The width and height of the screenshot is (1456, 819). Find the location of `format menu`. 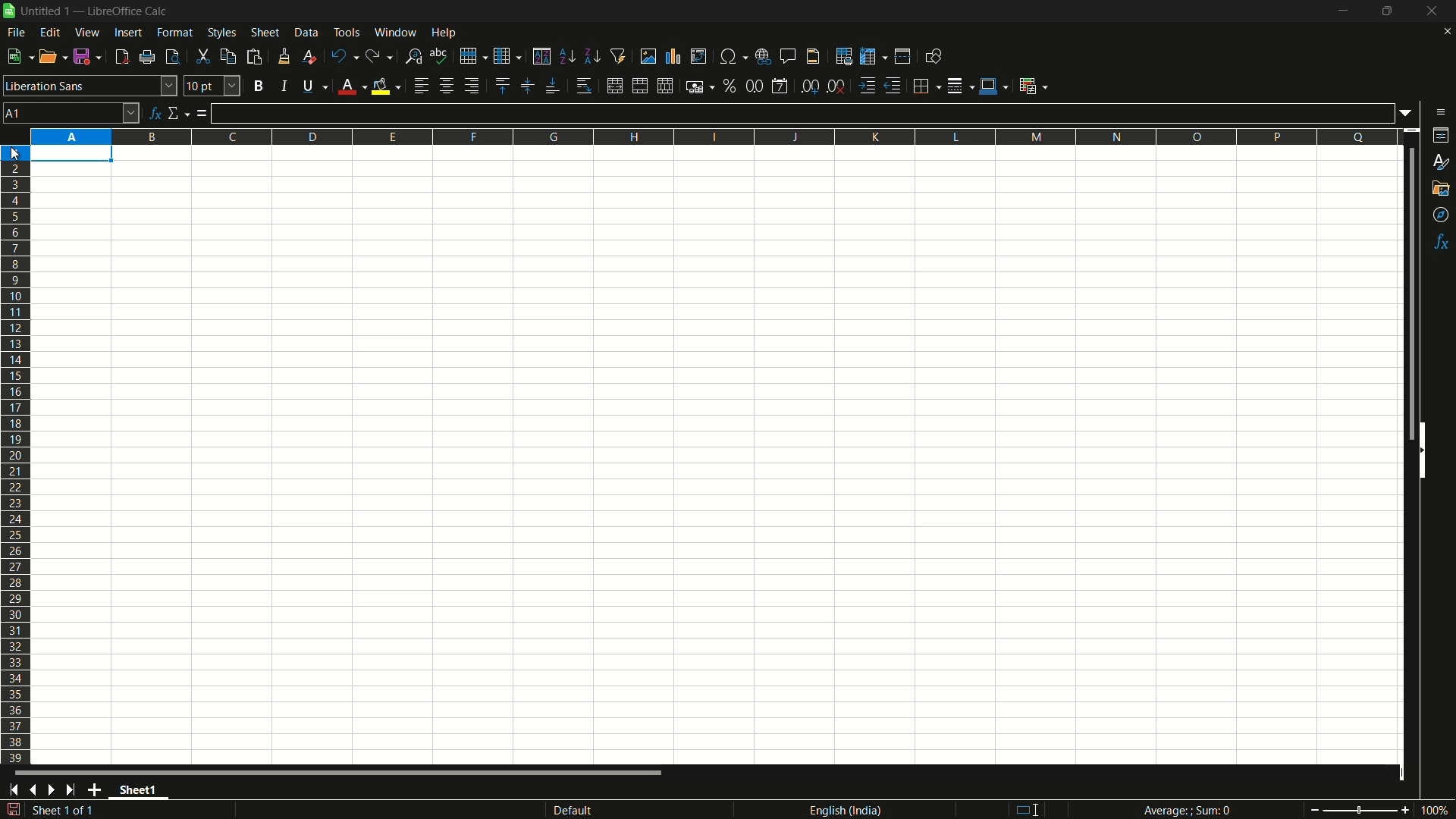

format menu is located at coordinates (175, 33).